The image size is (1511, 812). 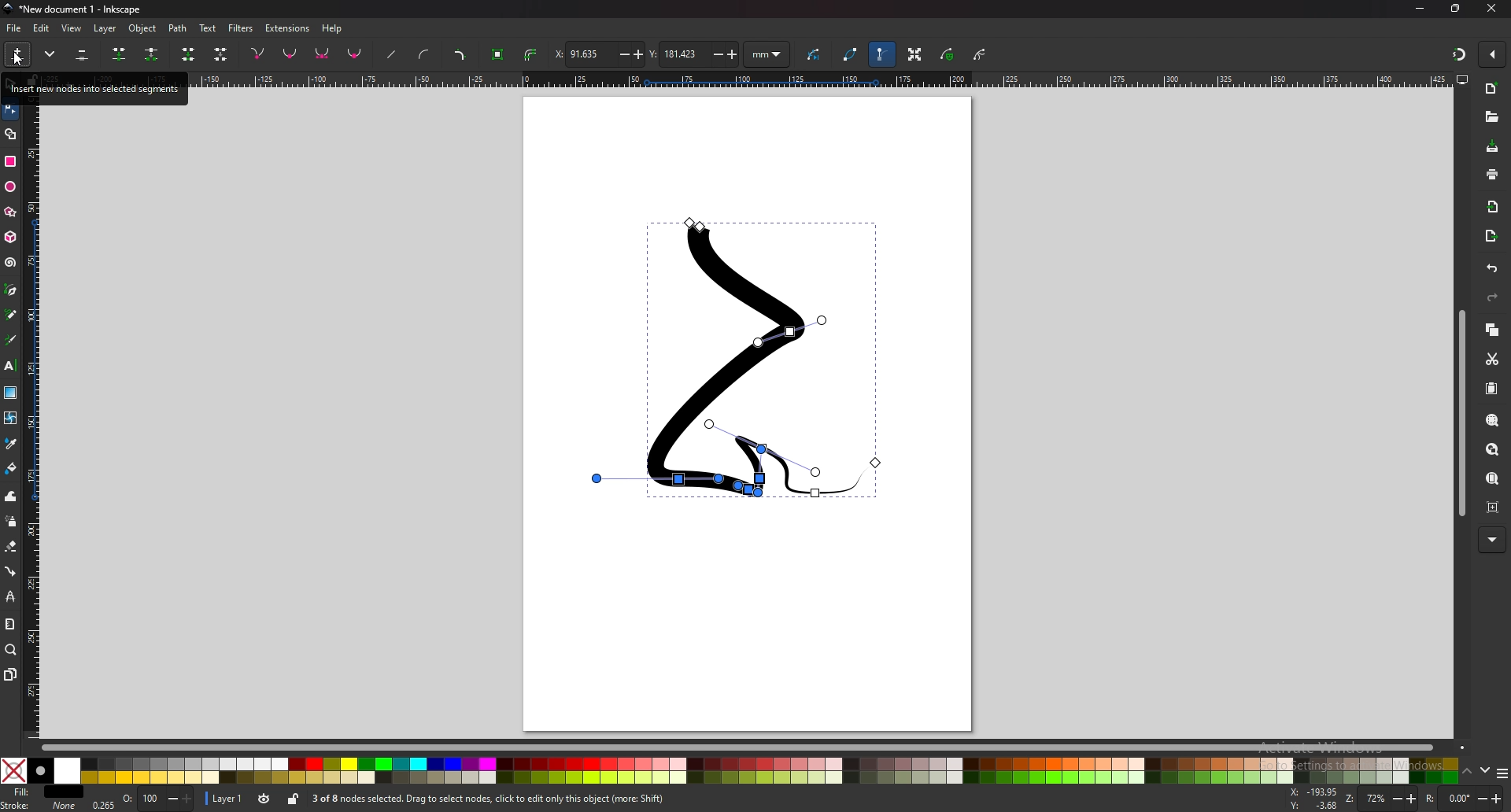 I want to click on cursor, so click(x=17, y=59).